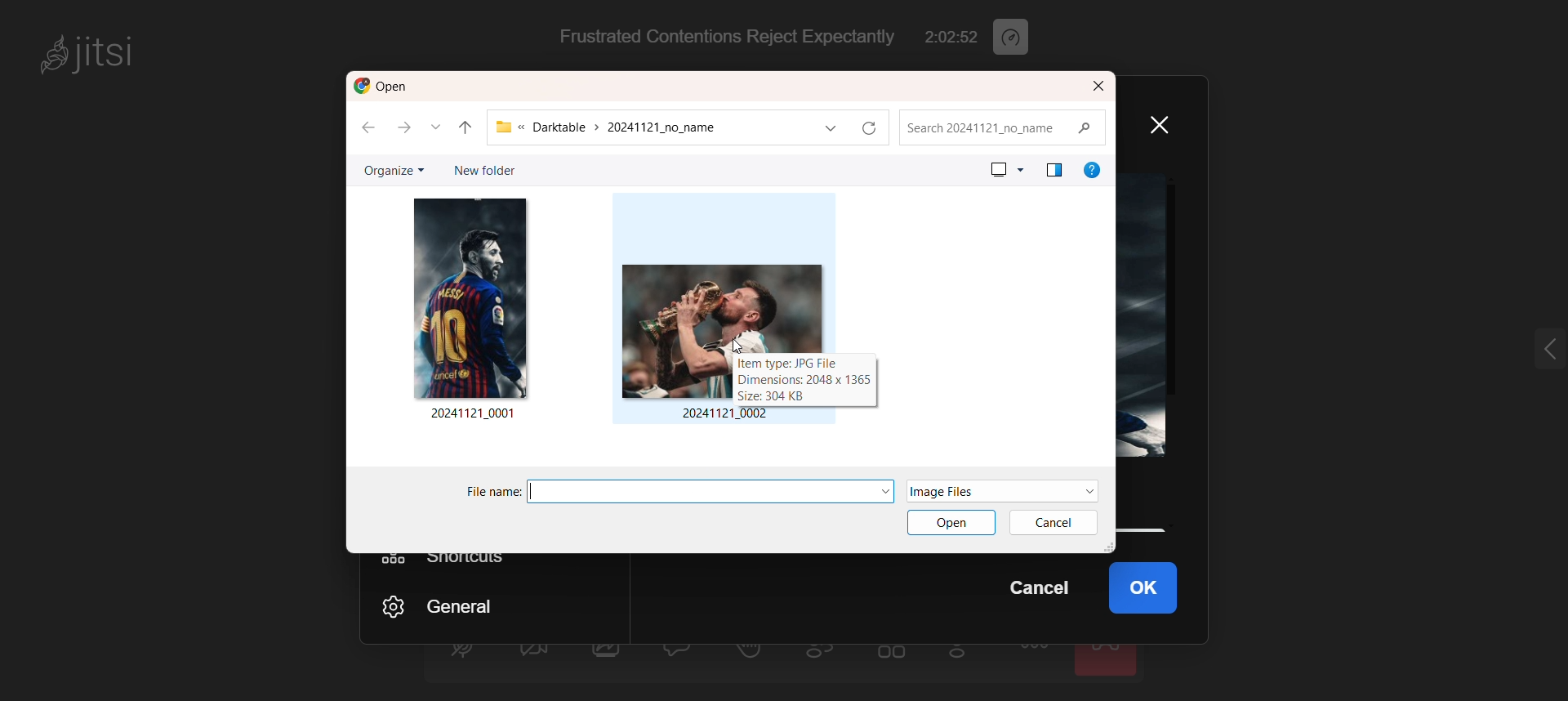 The image size is (1568, 701). I want to click on previous folder, so click(466, 124).